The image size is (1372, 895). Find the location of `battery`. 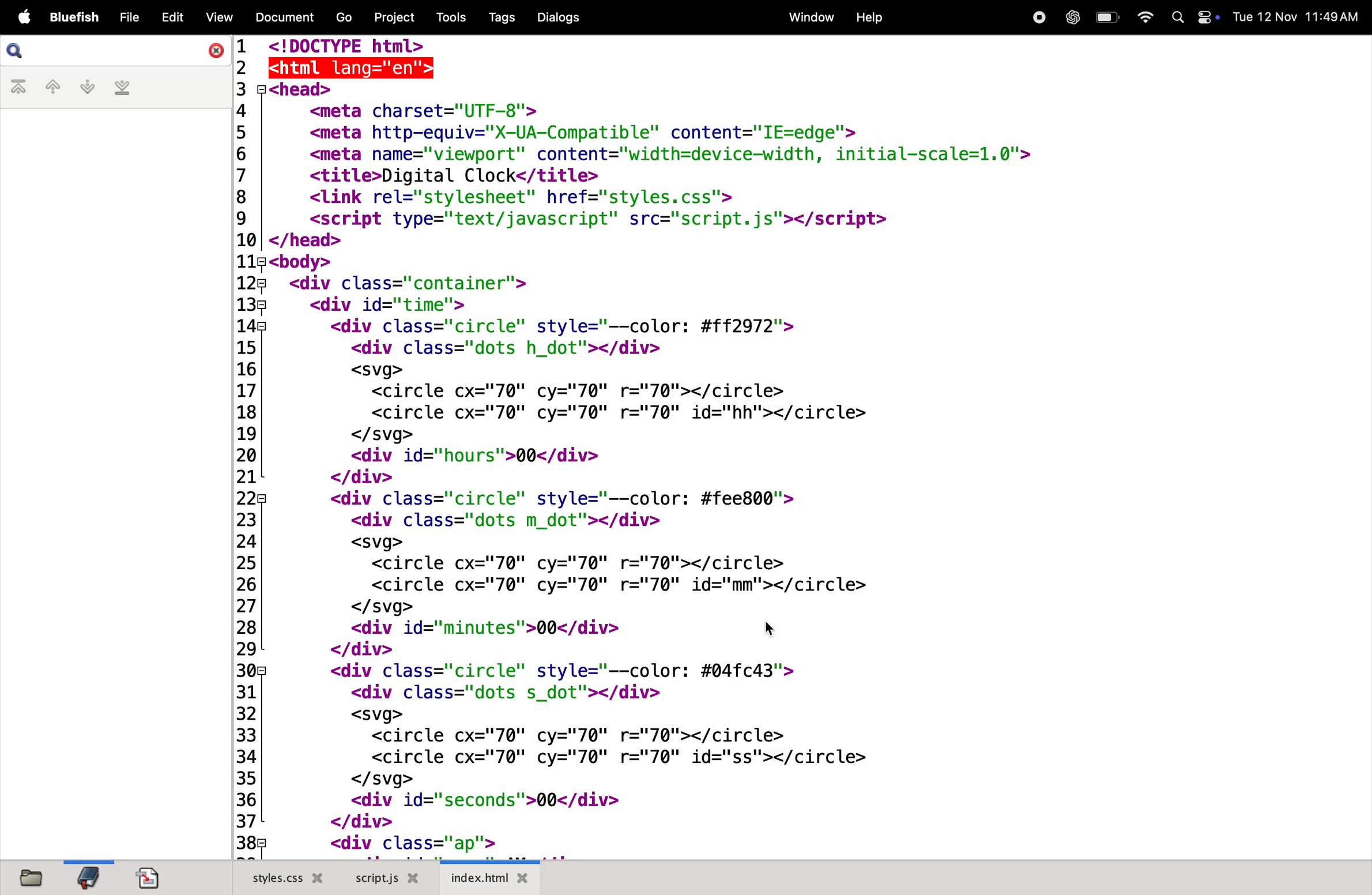

battery is located at coordinates (1106, 17).